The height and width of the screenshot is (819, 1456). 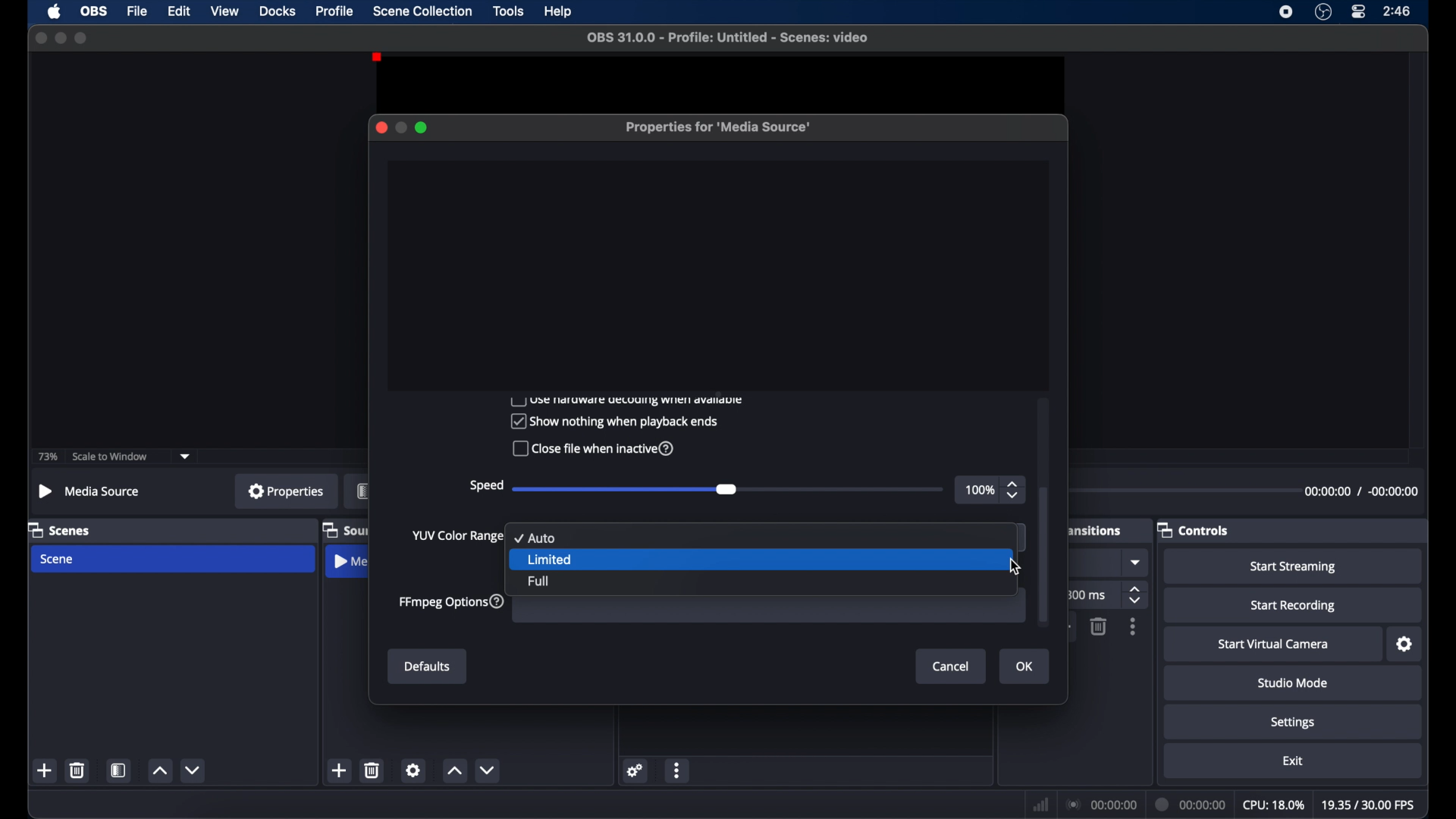 What do you see at coordinates (1015, 488) in the screenshot?
I see `stepper buttons` at bounding box center [1015, 488].